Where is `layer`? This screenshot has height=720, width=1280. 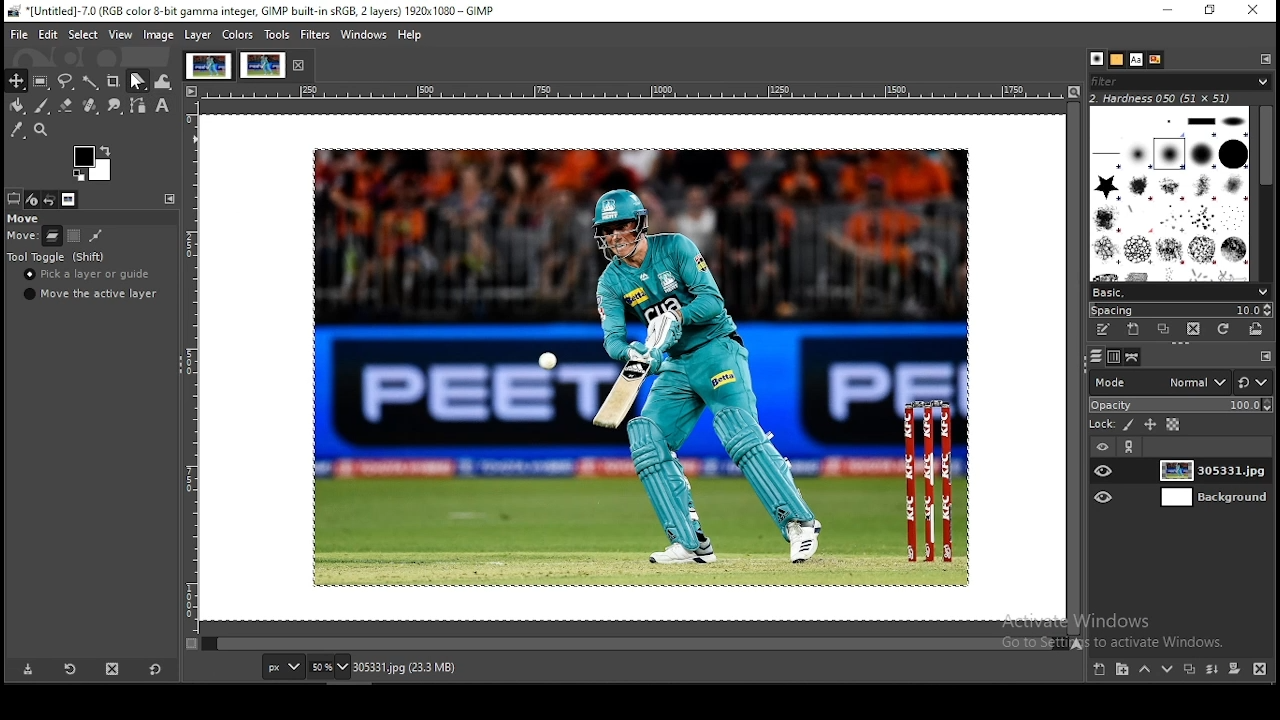
layer is located at coordinates (1210, 471).